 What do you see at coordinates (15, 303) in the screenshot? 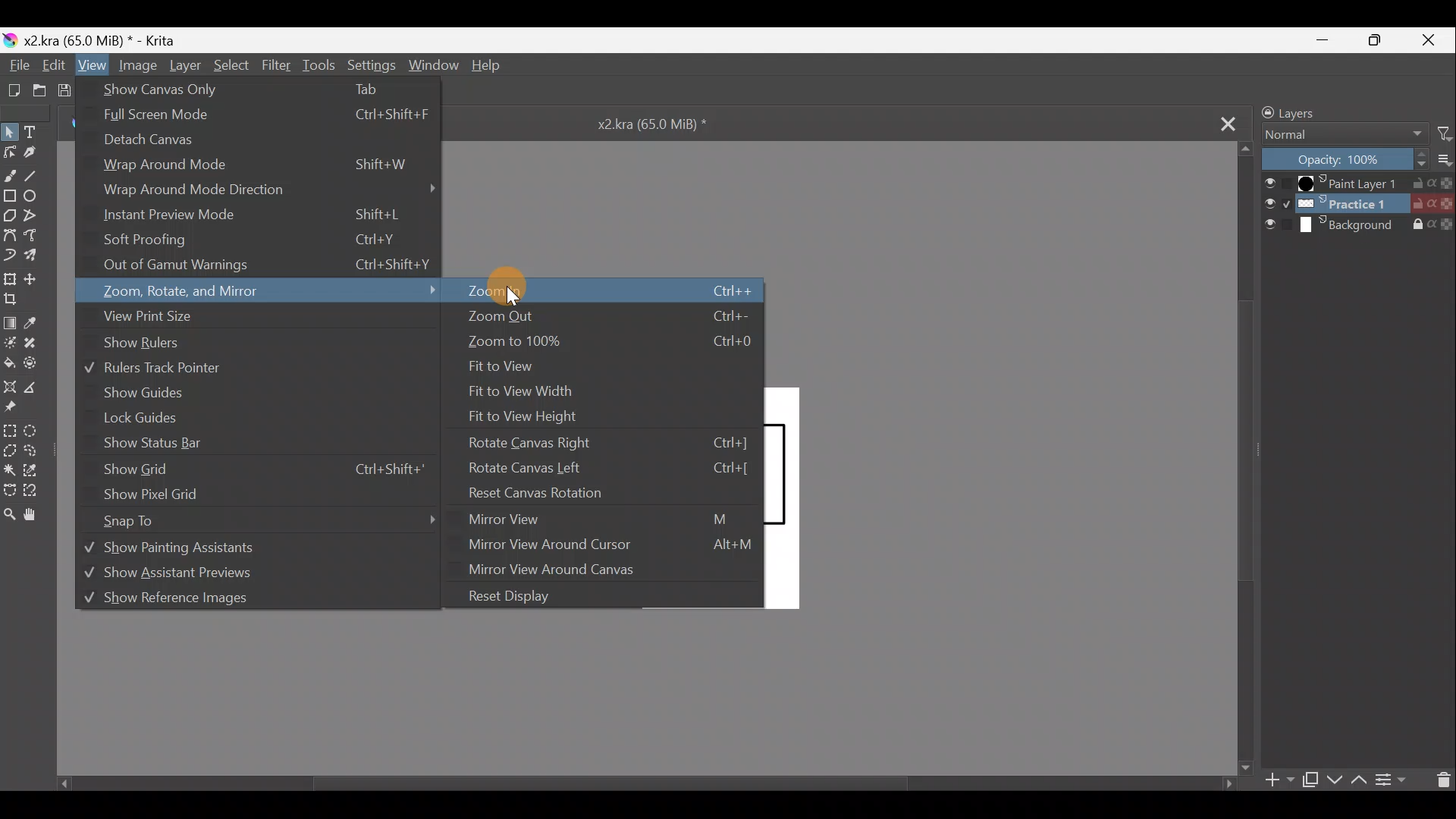
I see `Crop image to an area` at bounding box center [15, 303].